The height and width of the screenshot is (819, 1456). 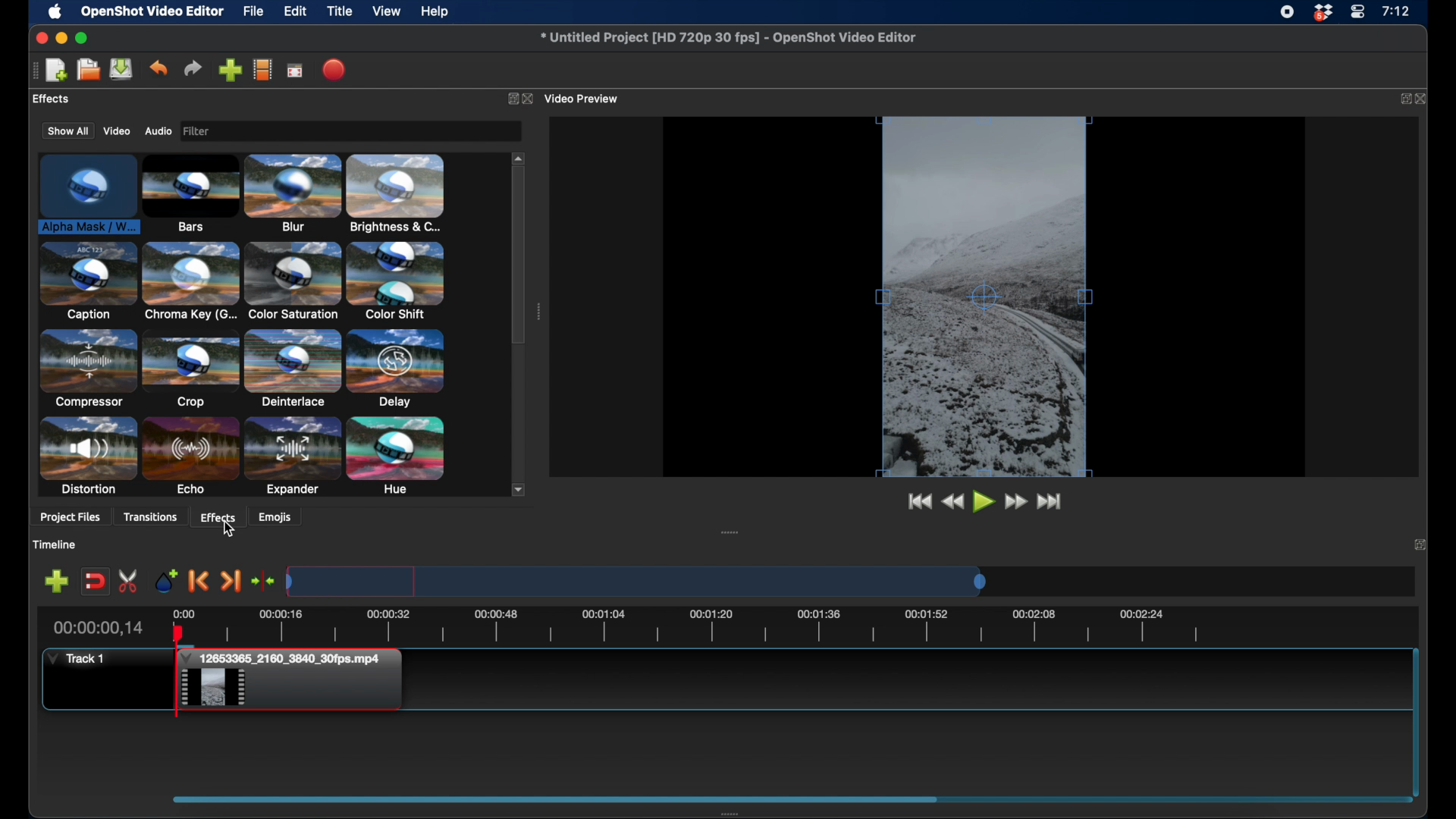 What do you see at coordinates (729, 37) in the screenshot?
I see `file name` at bounding box center [729, 37].